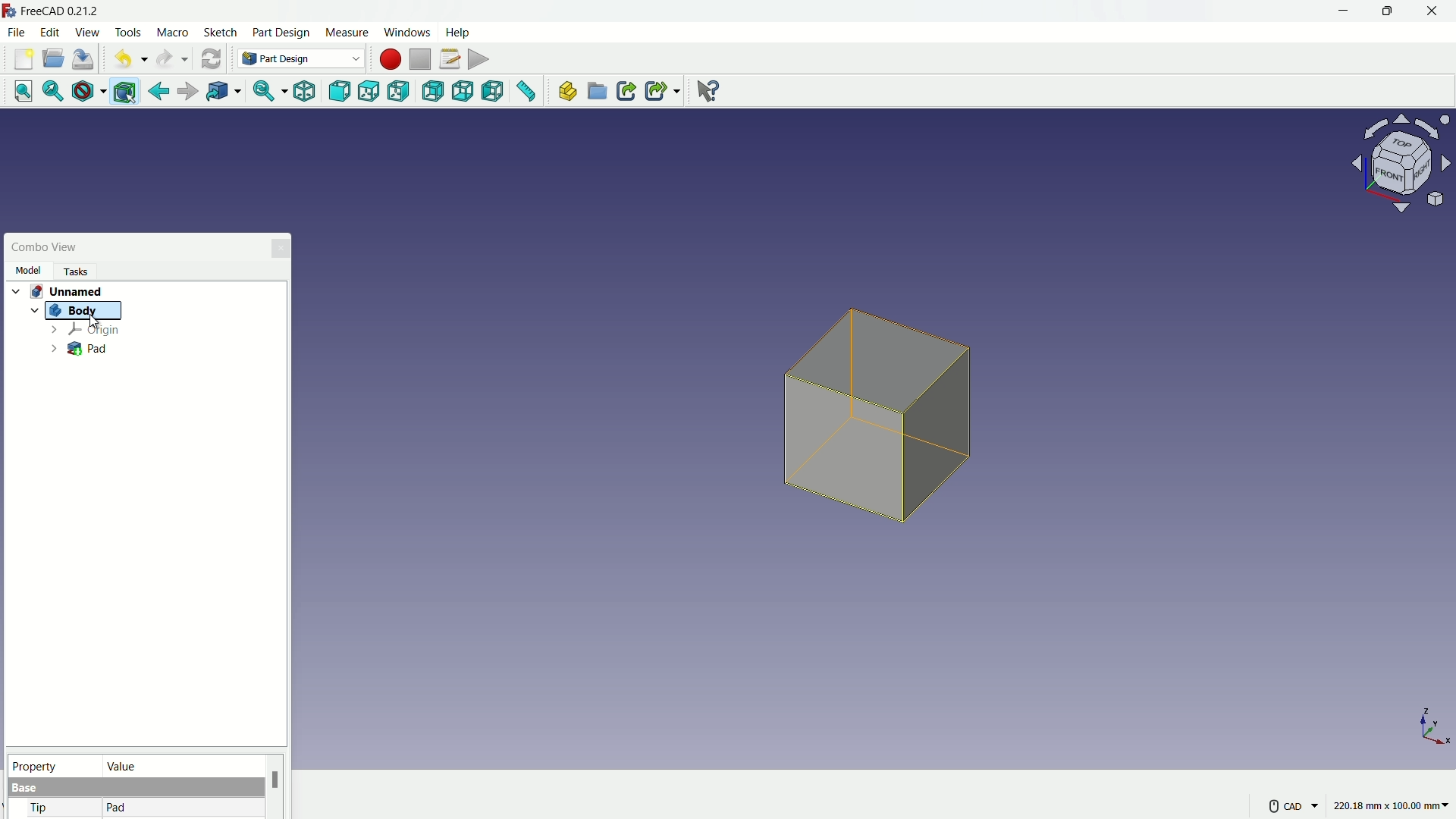 This screenshot has width=1456, height=819. I want to click on back view, so click(435, 93).